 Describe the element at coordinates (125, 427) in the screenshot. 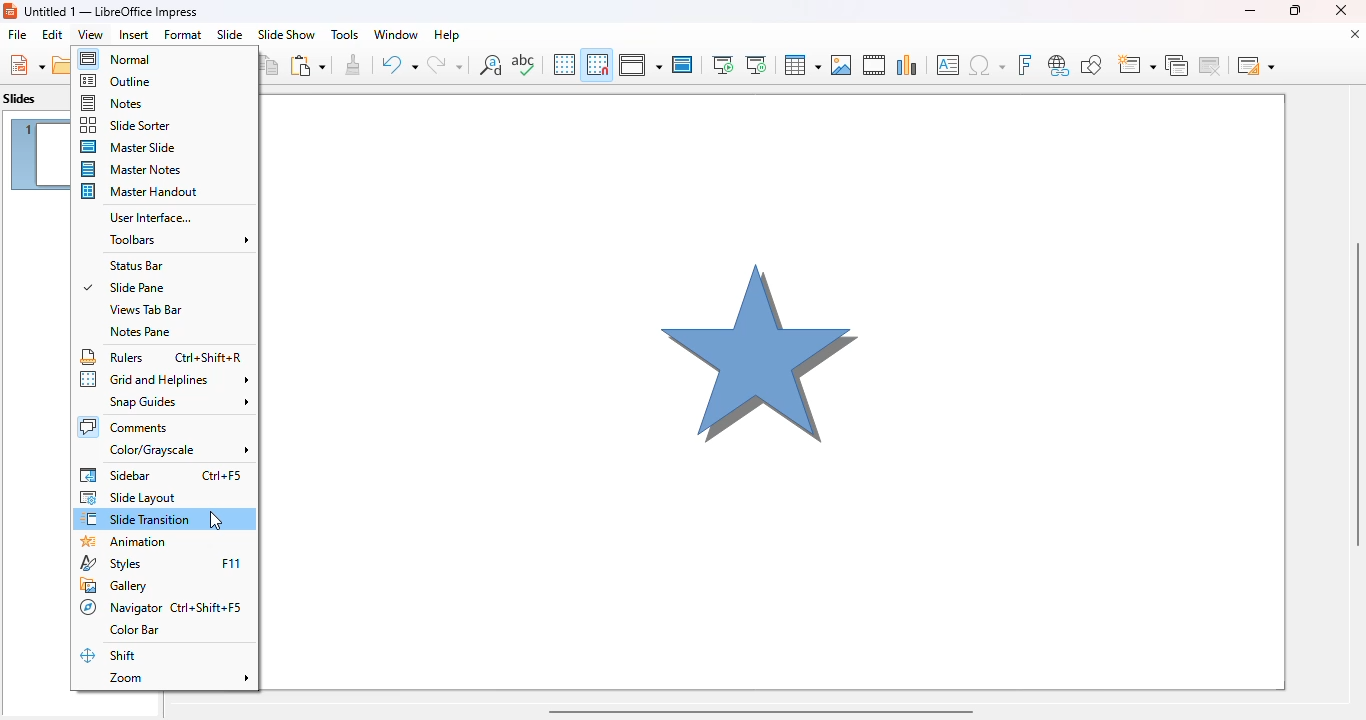

I see `comments` at that location.